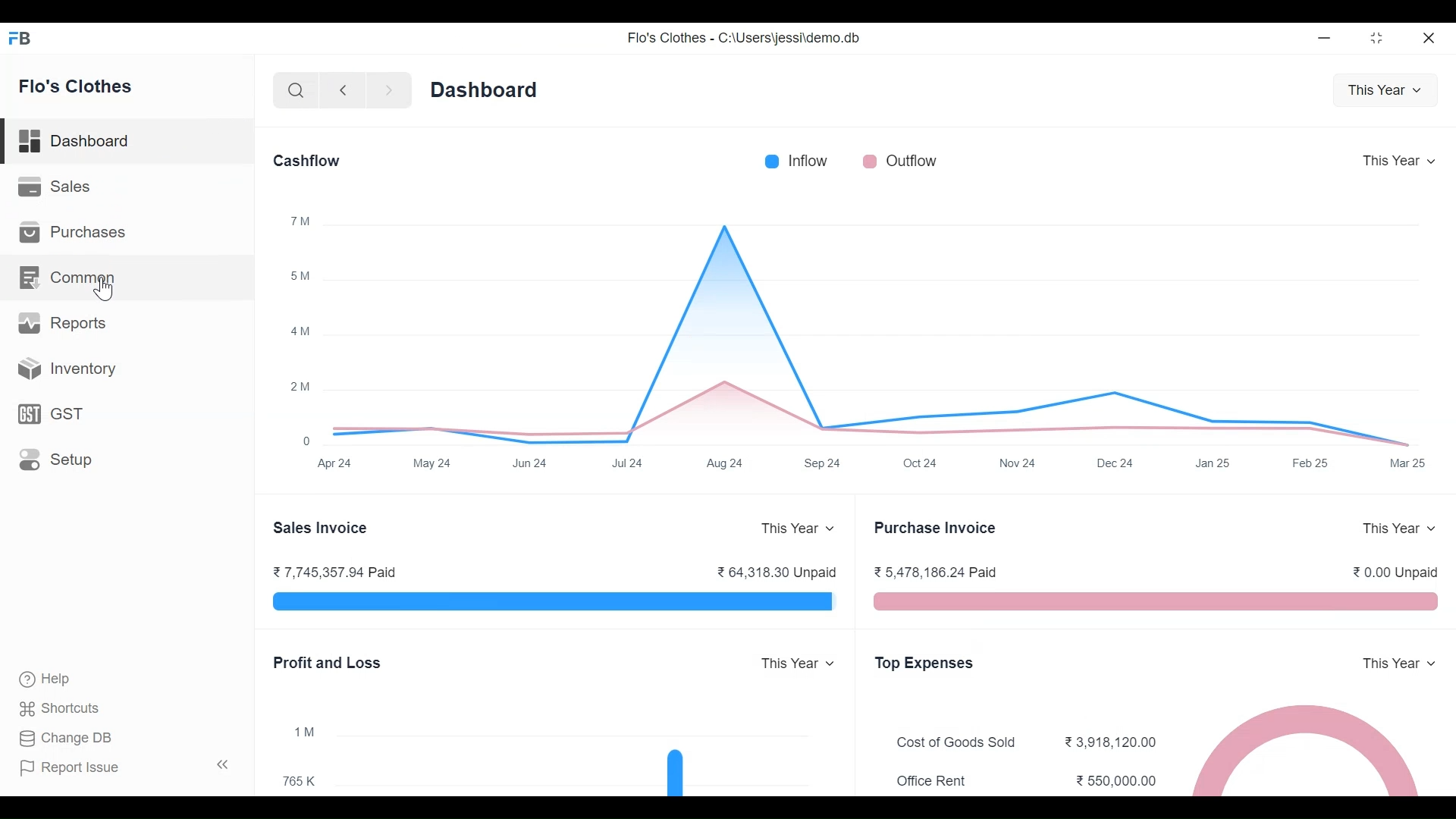  Describe the element at coordinates (1385, 88) in the screenshot. I see `This Year` at that location.